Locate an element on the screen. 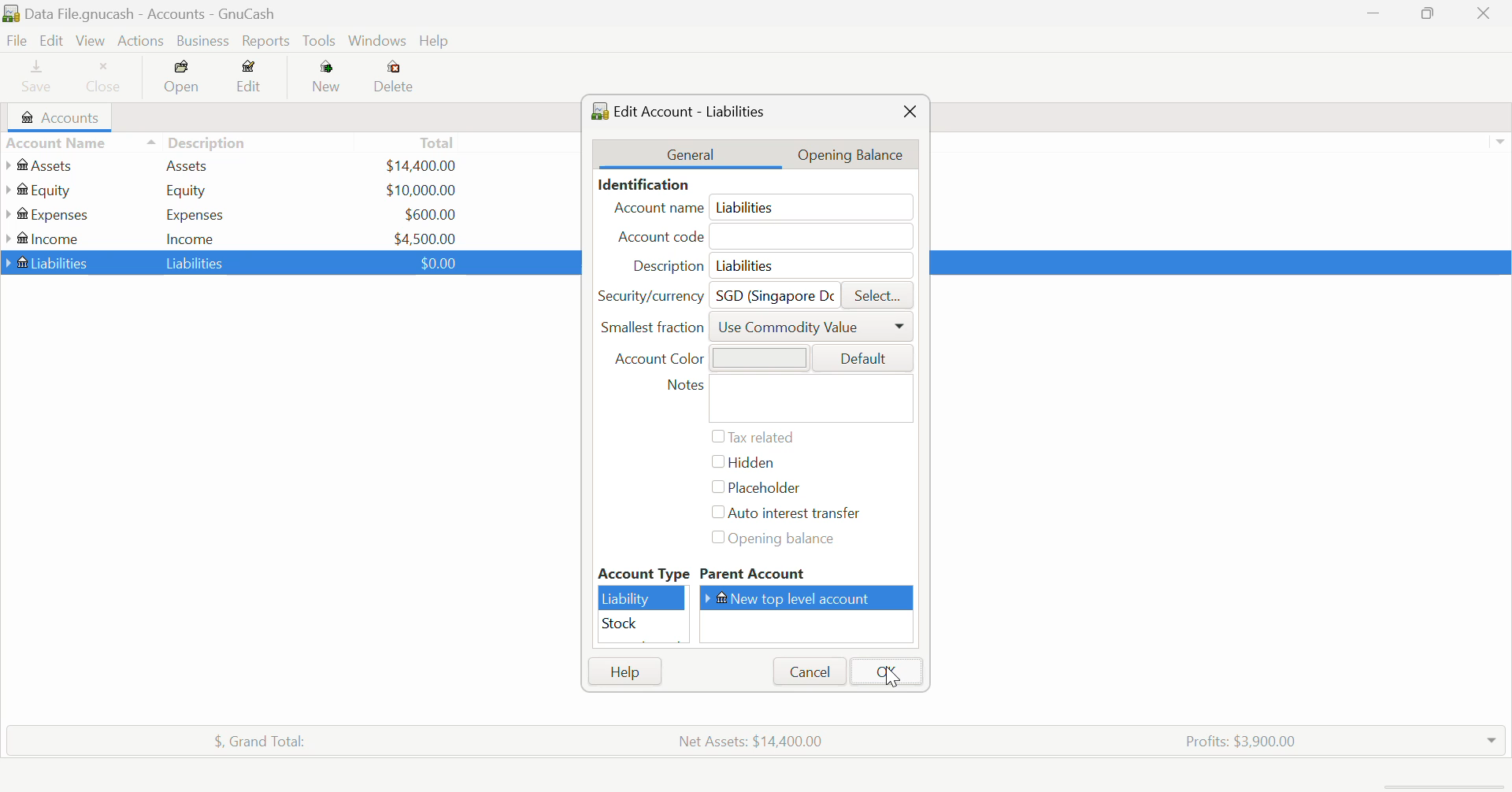 The image size is (1512, 792). Reports is located at coordinates (269, 41).